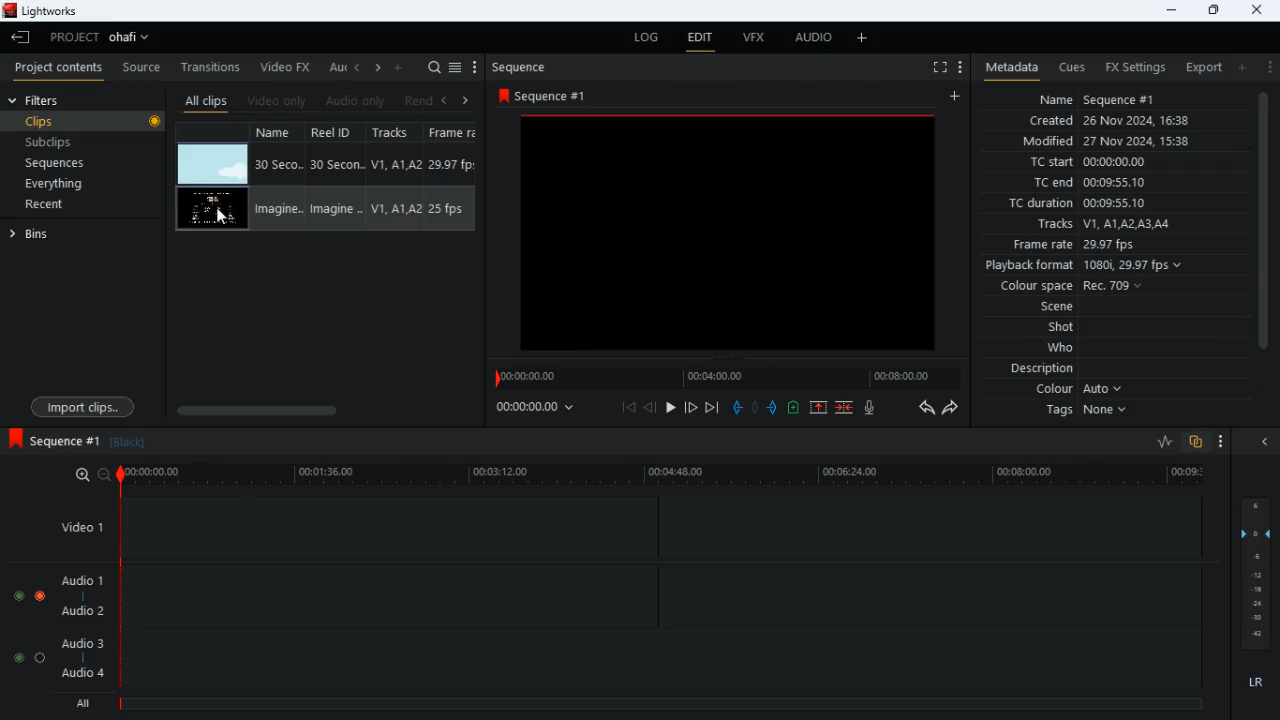 The height and width of the screenshot is (720, 1280). I want to click on tags, so click(1078, 414).